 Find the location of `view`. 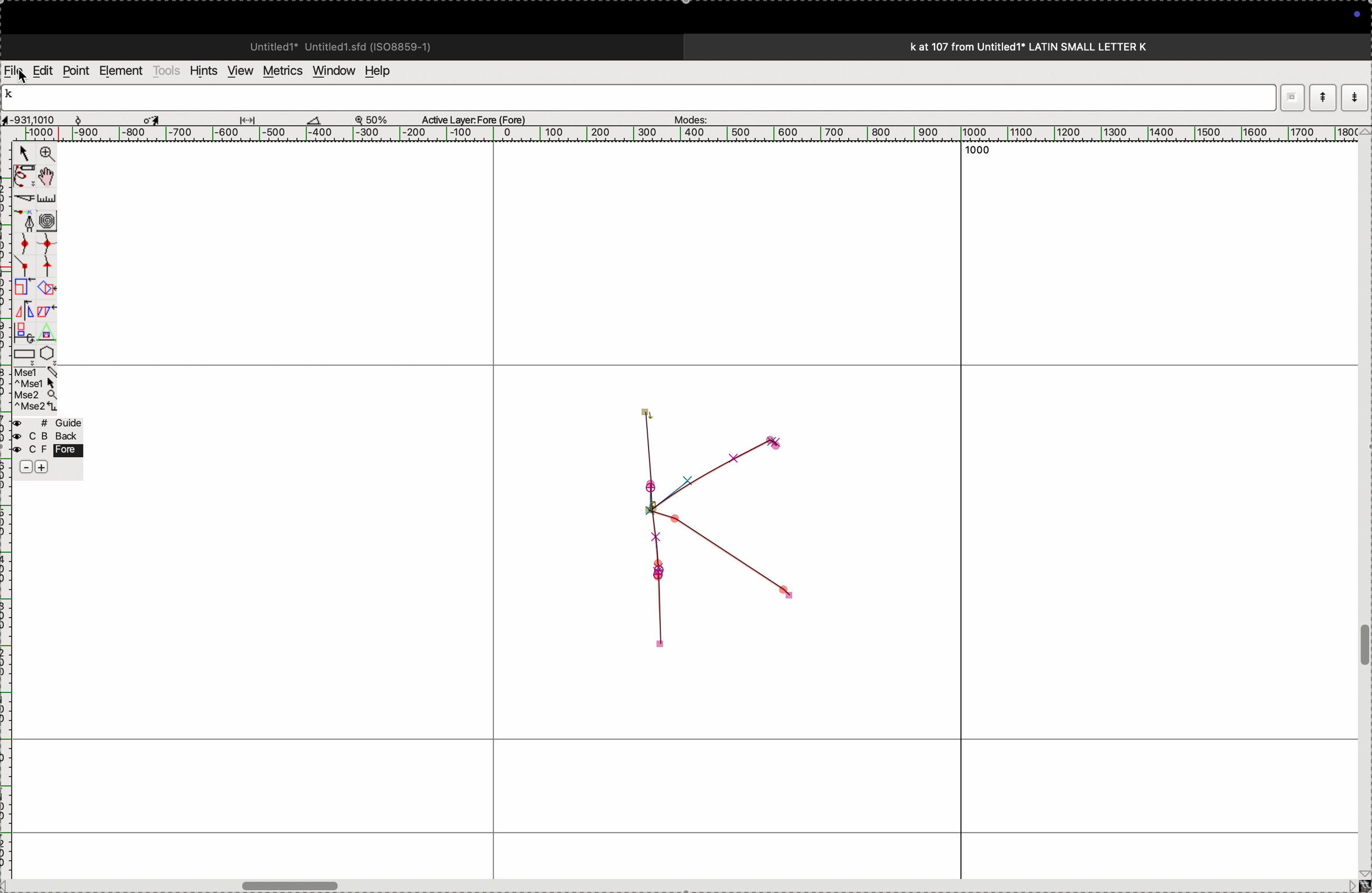

view is located at coordinates (237, 71).